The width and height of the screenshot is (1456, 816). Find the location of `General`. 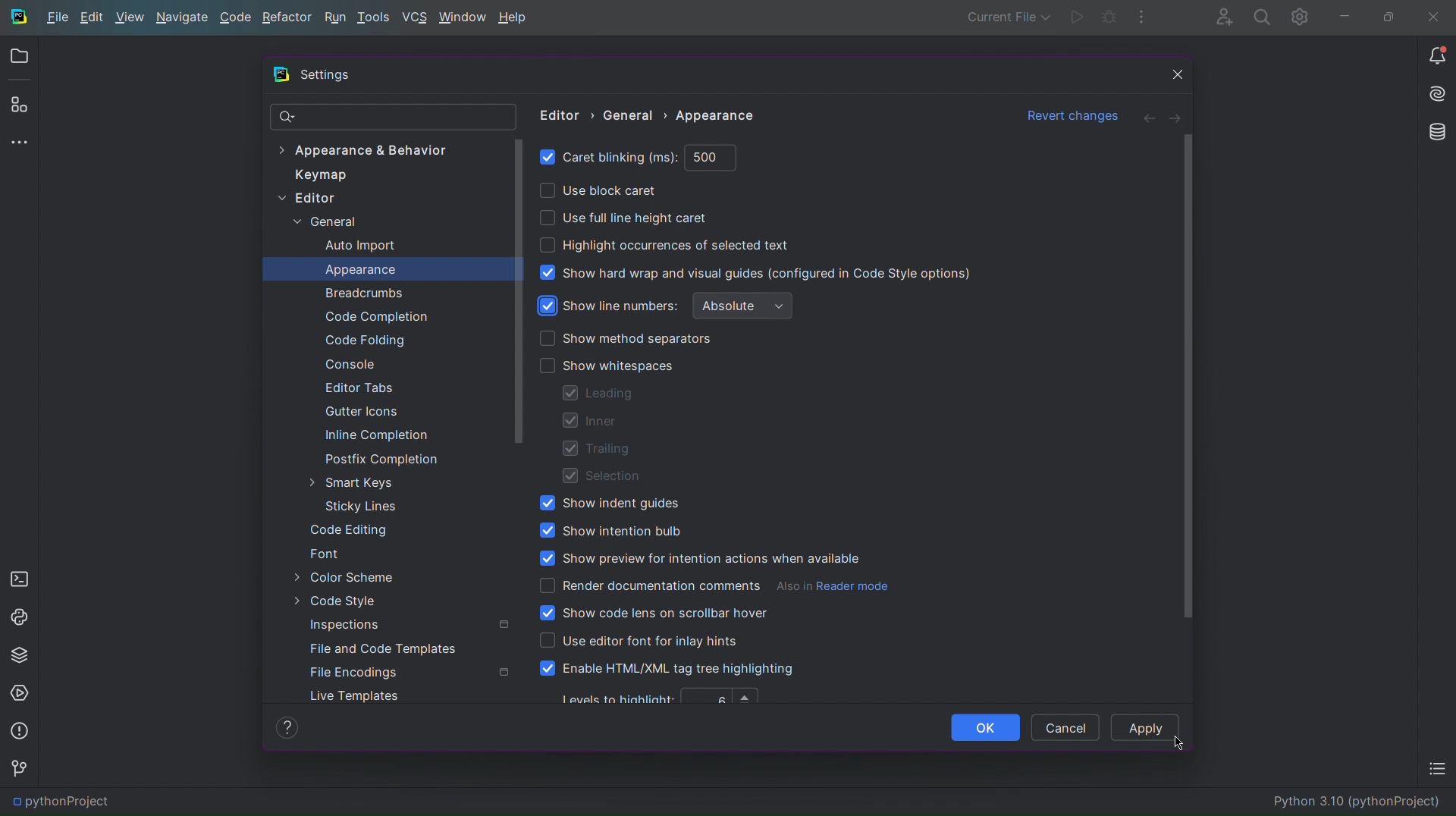

General is located at coordinates (327, 222).